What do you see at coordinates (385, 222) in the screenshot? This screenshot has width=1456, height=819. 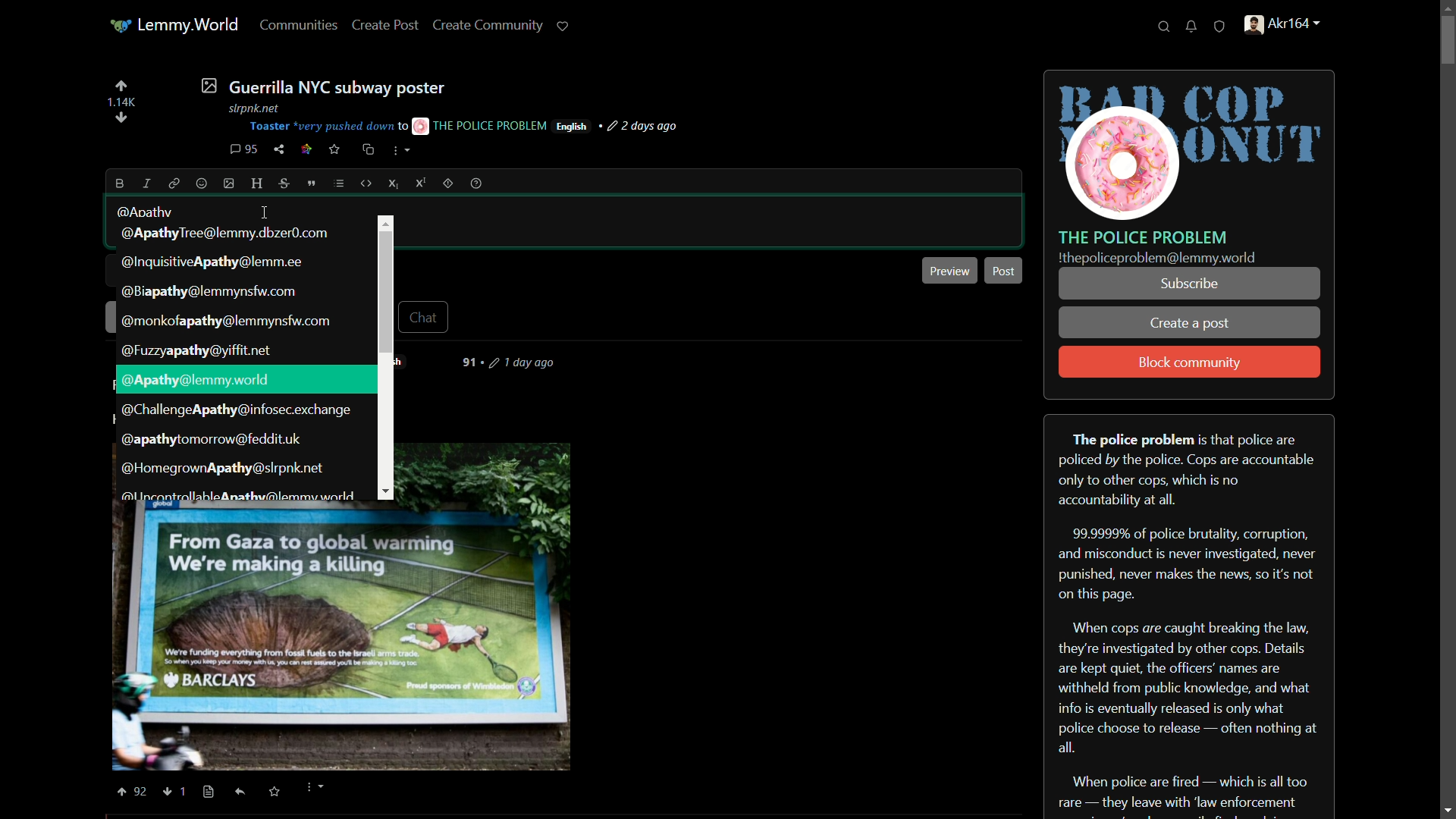 I see `` at bounding box center [385, 222].